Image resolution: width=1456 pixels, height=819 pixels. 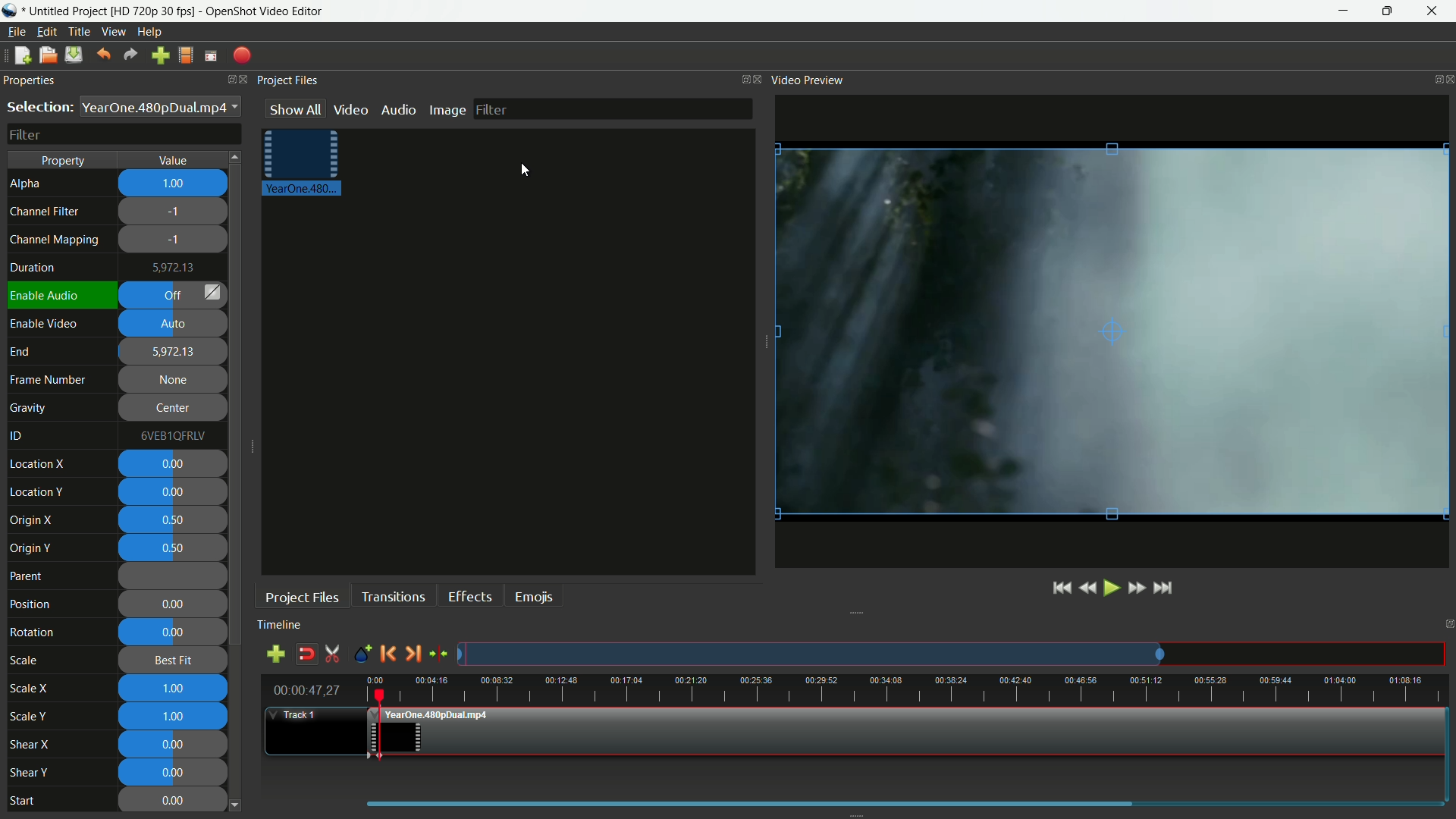 I want to click on property, so click(x=64, y=161).